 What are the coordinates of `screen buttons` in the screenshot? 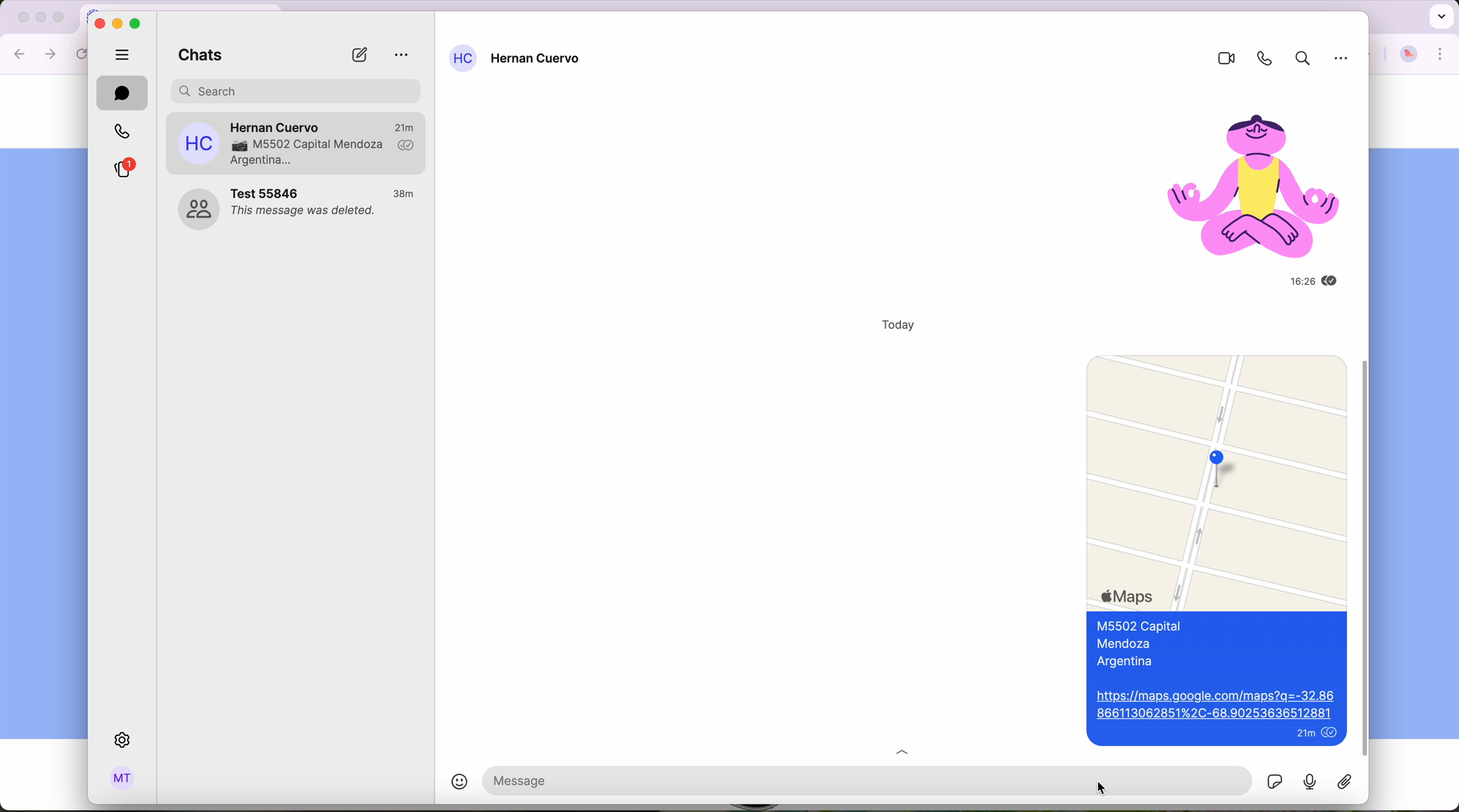 It's located at (39, 18).